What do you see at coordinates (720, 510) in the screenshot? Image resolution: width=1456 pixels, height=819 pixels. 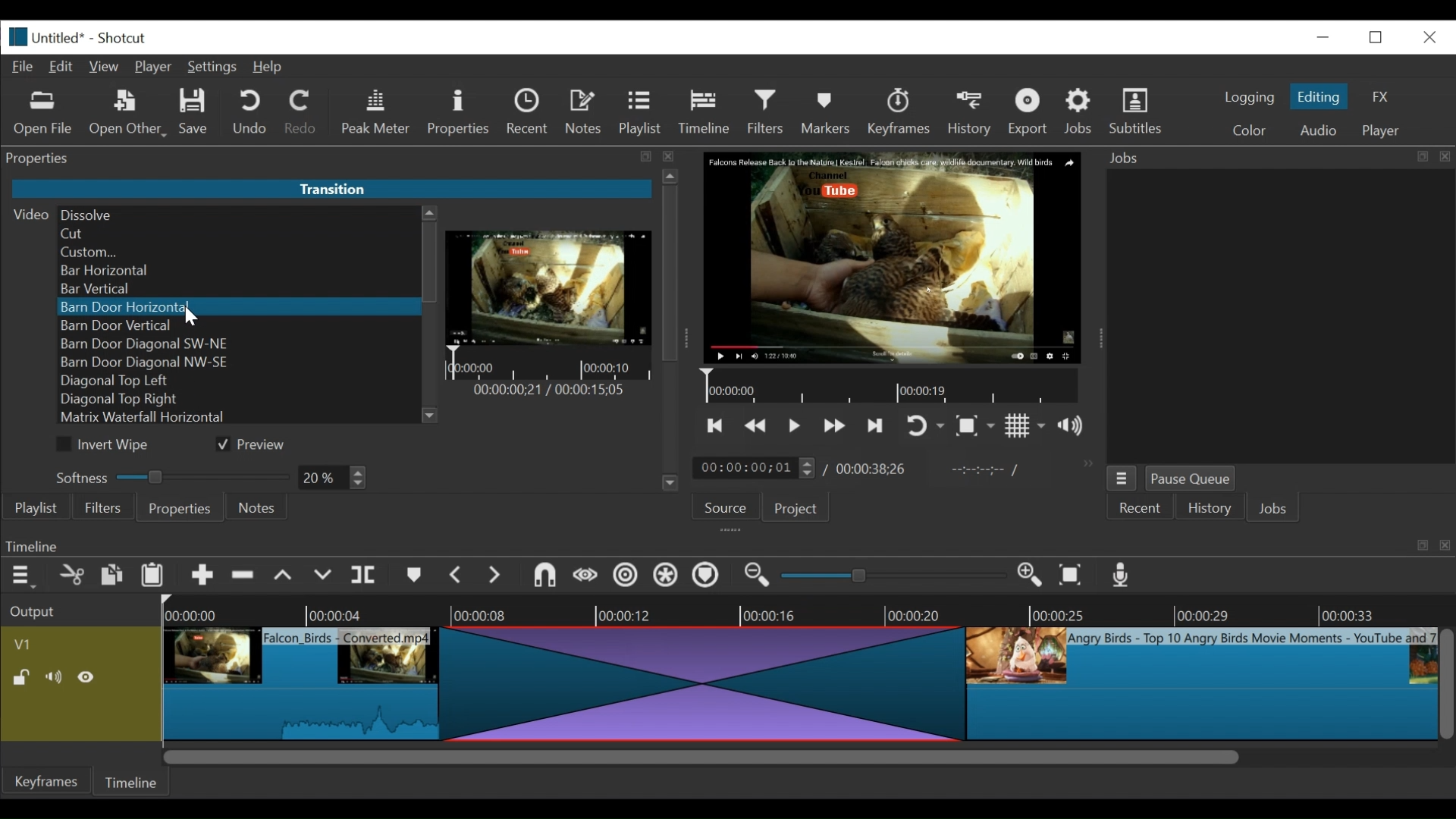 I see `Source` at bounding box center [720, 510].